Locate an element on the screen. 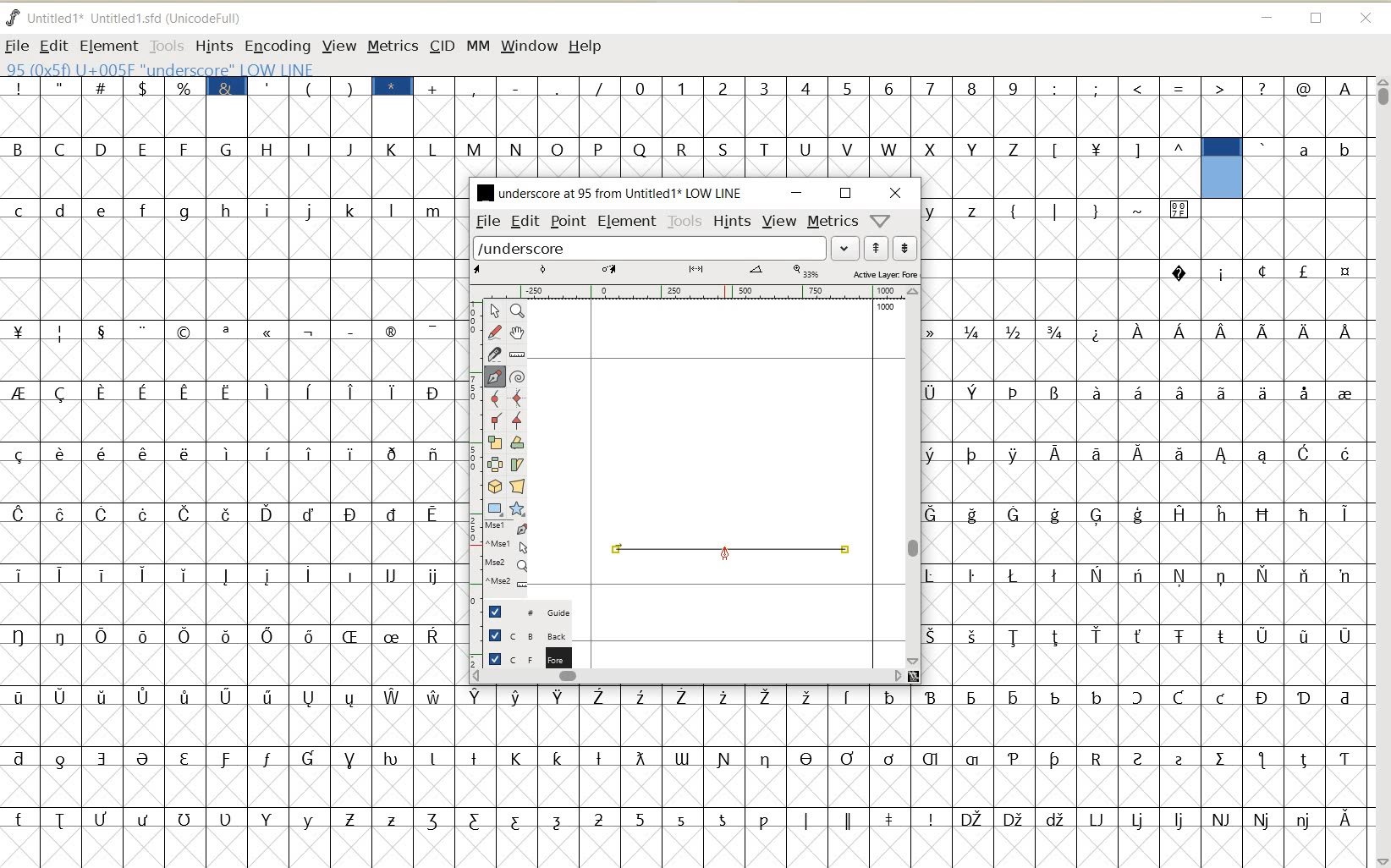 The height and width of the screenshot is (868, 1391). VIEW is located at coordinates (336, 45).